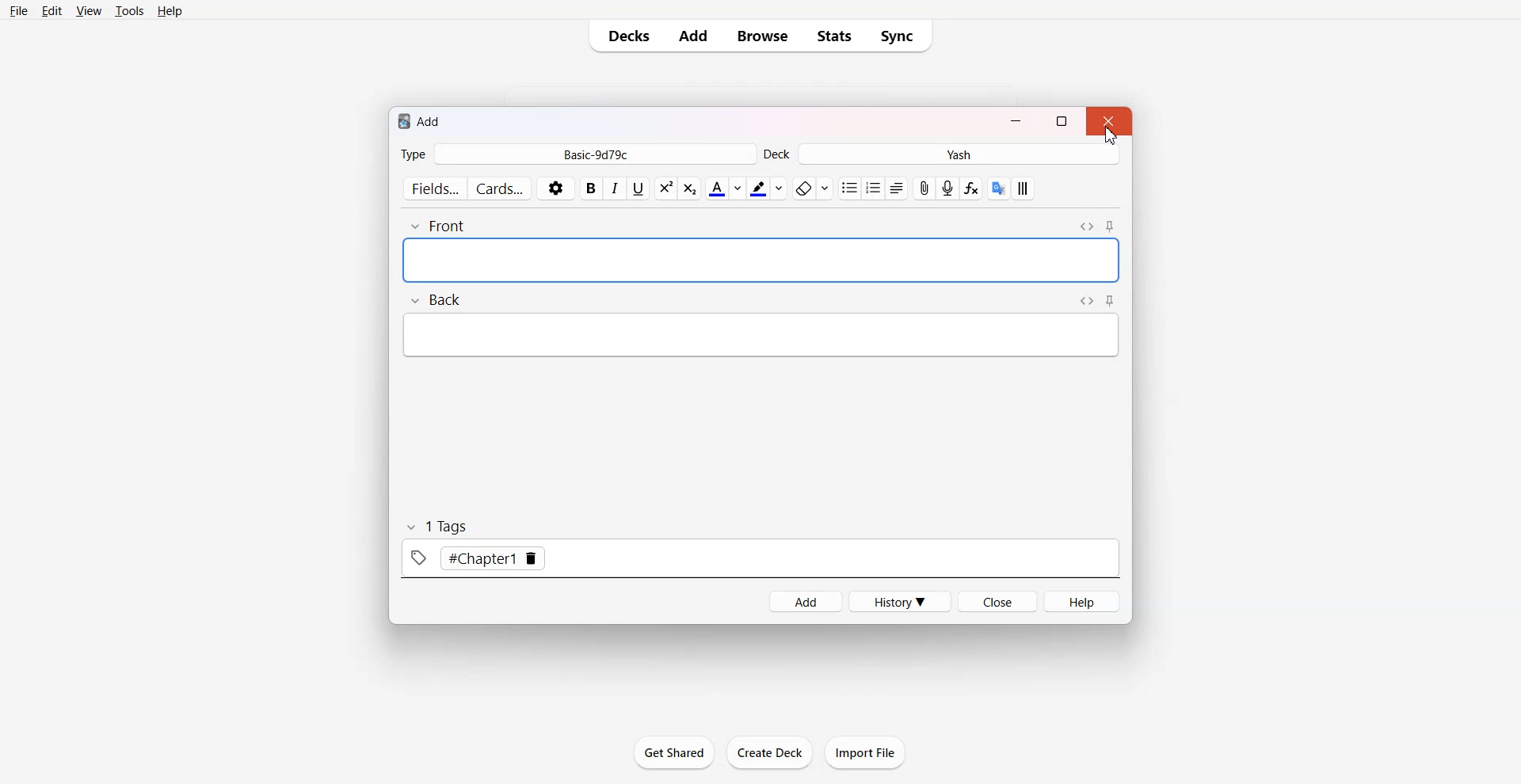 The width and height of the screenshot is (1521, 784). Describe the element at coordinates (556, 188) in the screenshot. I see `Settings` at that location.